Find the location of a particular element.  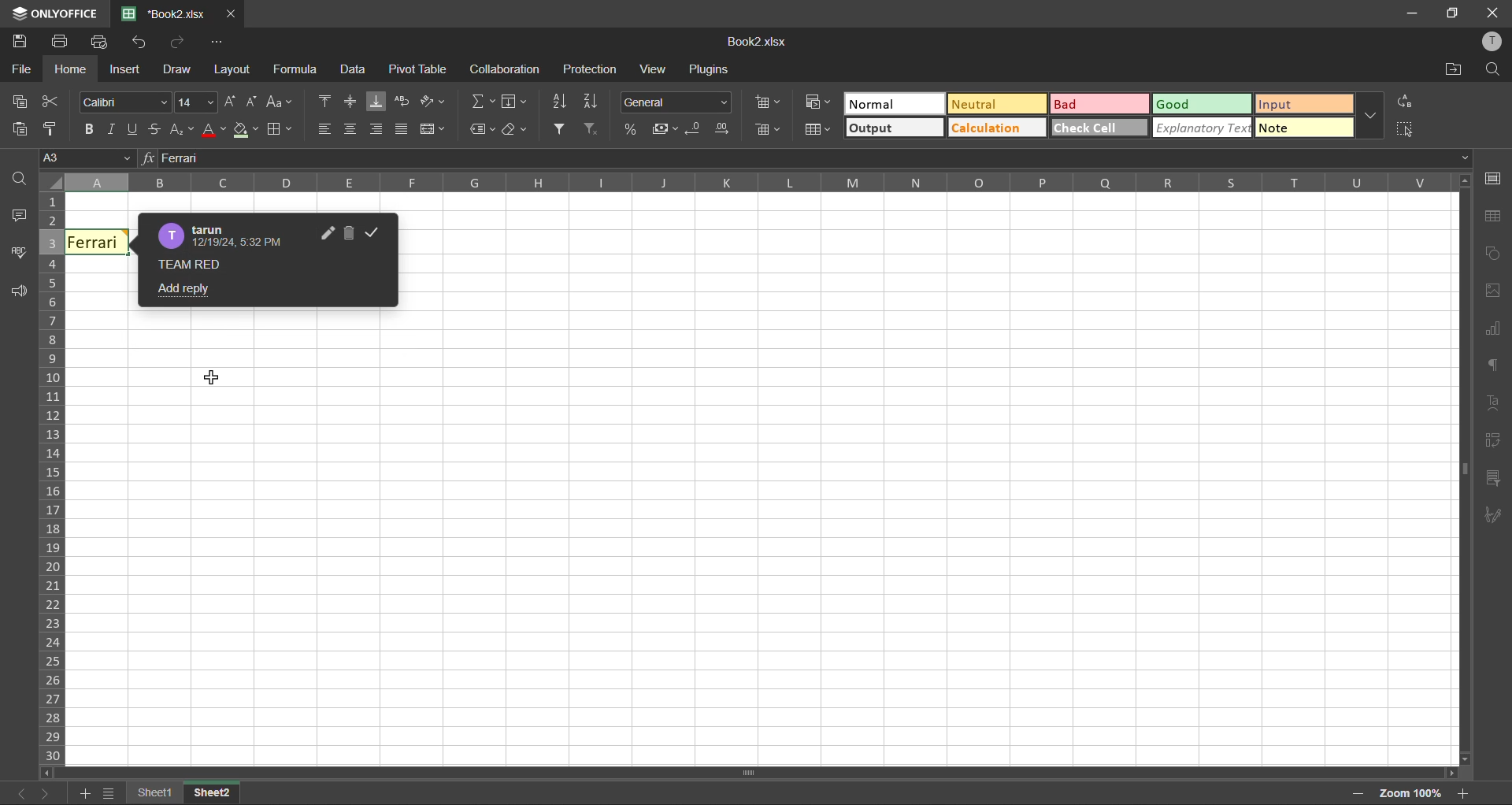

home is located at coordinates (73, 69).